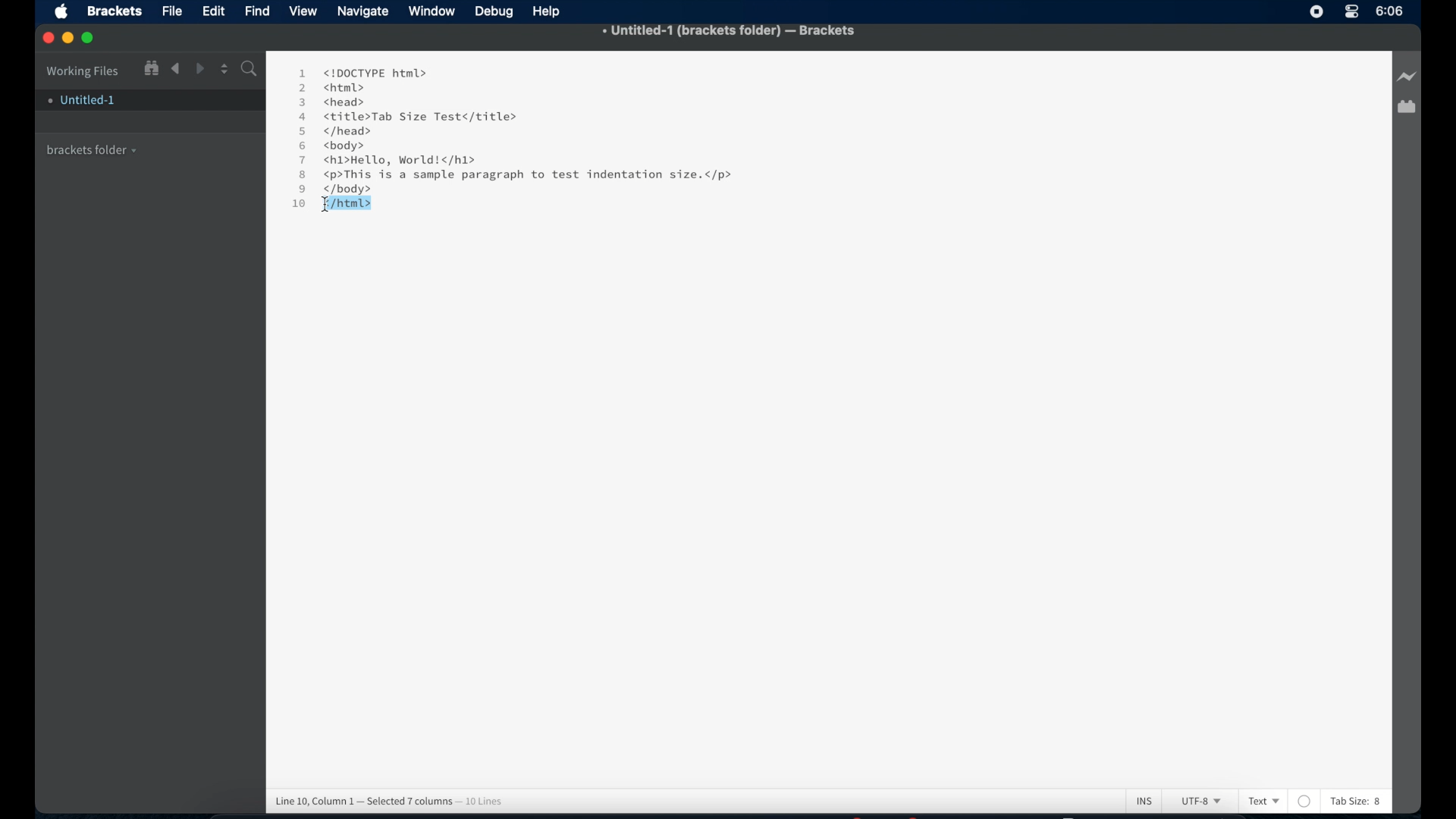  I want to click on Up/Down, so click(224, 68).